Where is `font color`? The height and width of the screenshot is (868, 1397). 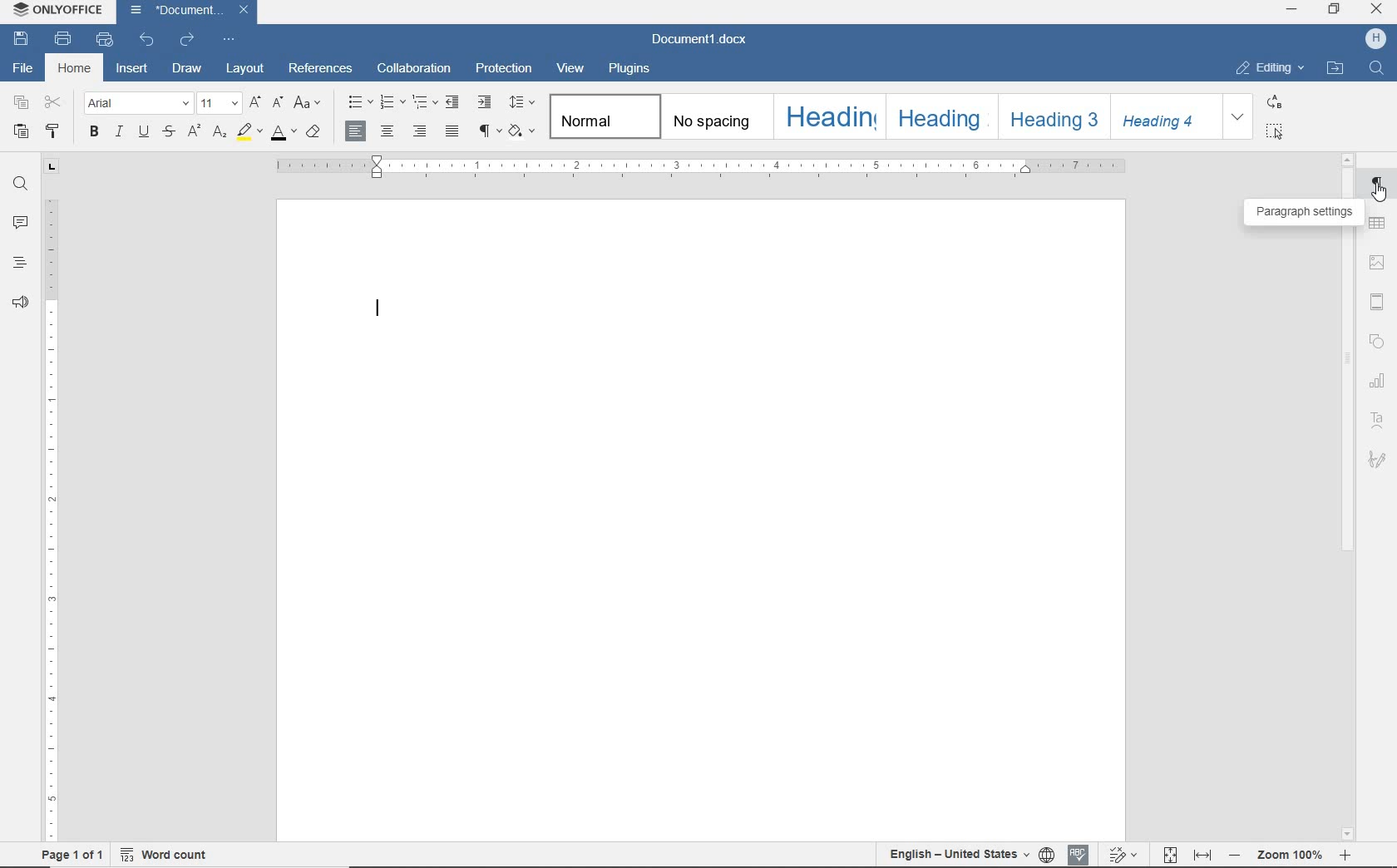
font color is located at coordinates (282, 133).